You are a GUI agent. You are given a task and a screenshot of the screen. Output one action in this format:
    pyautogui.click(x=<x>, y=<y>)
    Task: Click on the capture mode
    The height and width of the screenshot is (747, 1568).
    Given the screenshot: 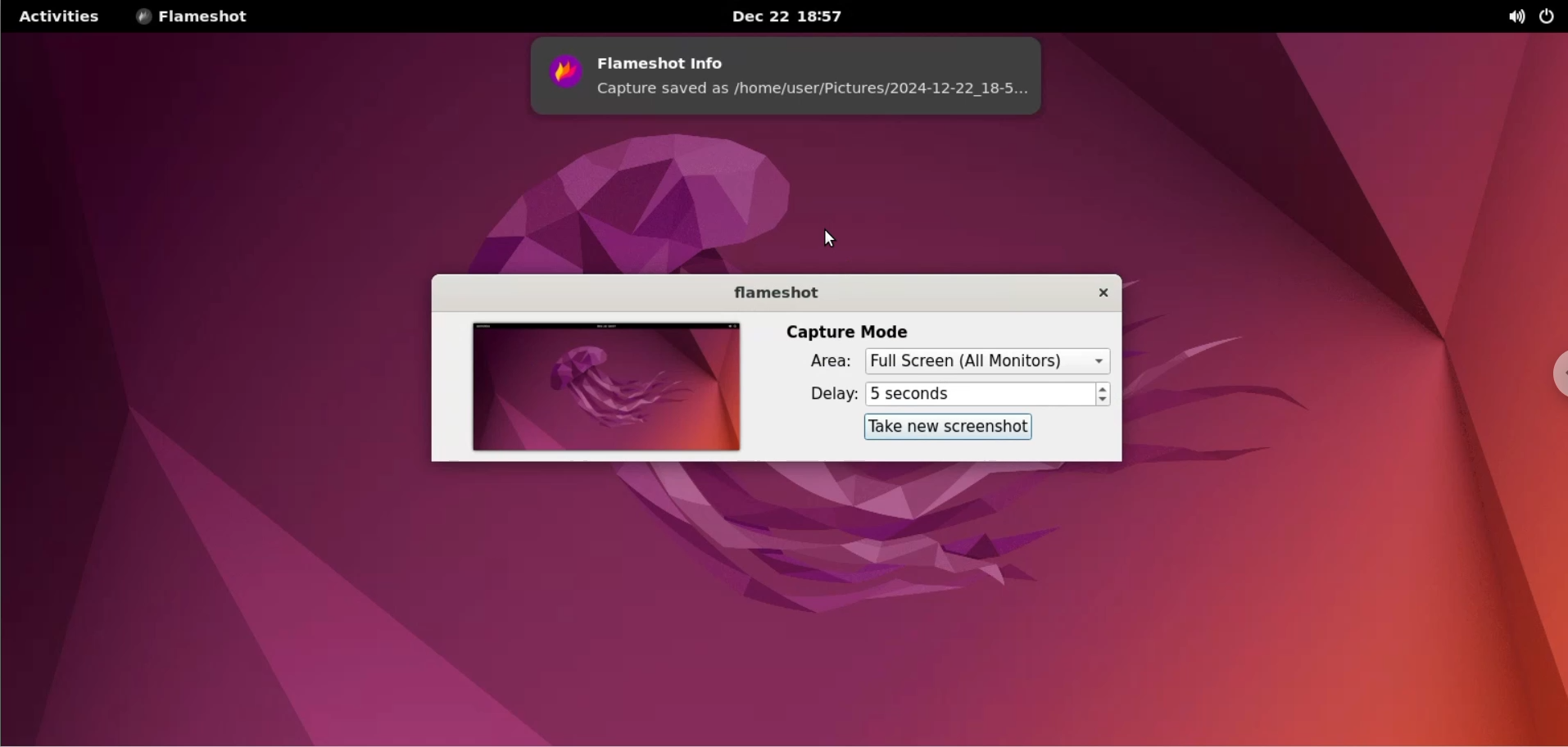 What is the action you would take?
    pyautogui.click(x=850, y=330)
    